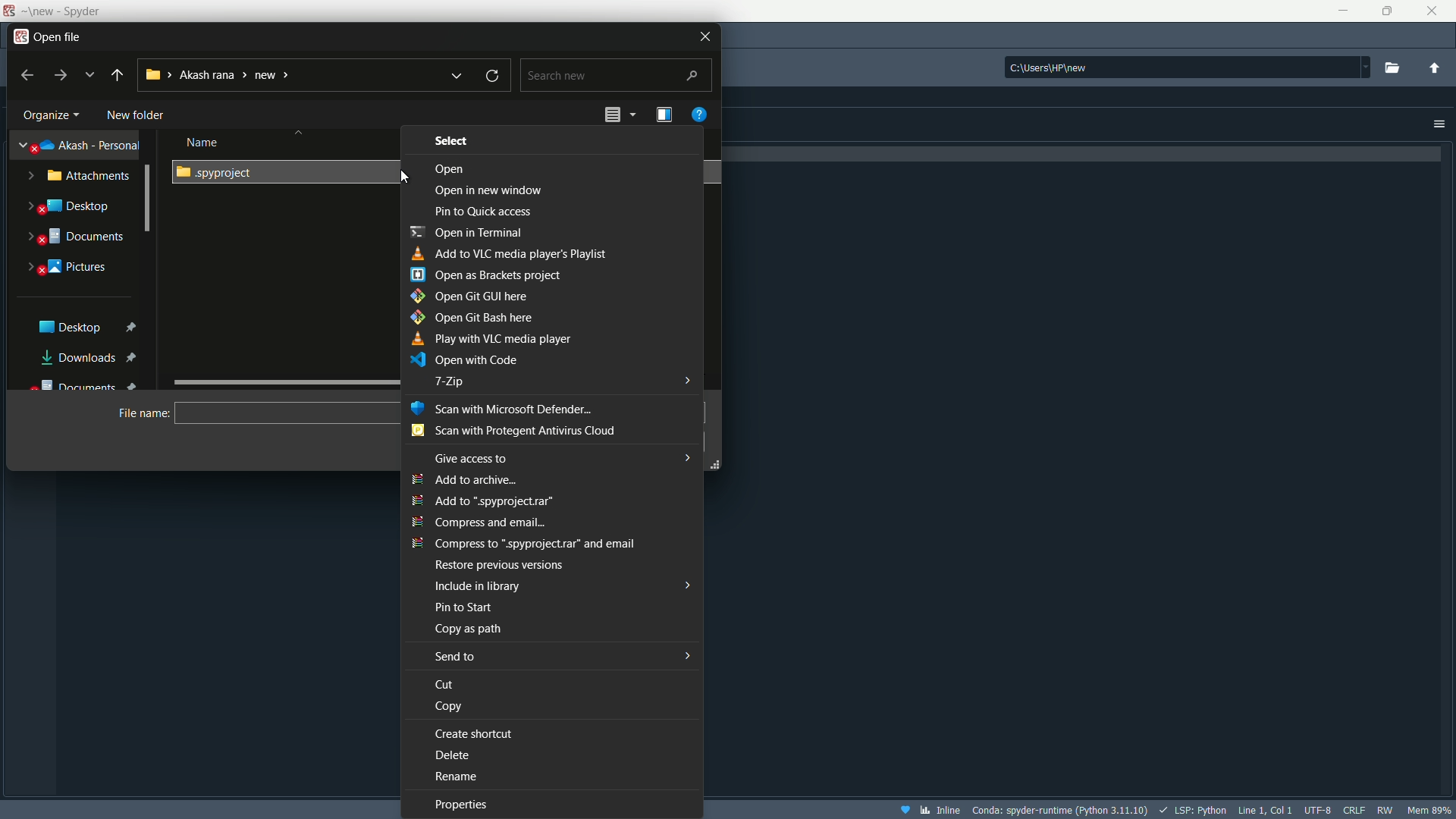  Describe the element at coordinates (91, 358) in the screenshot. I see `Downloads` at that location.